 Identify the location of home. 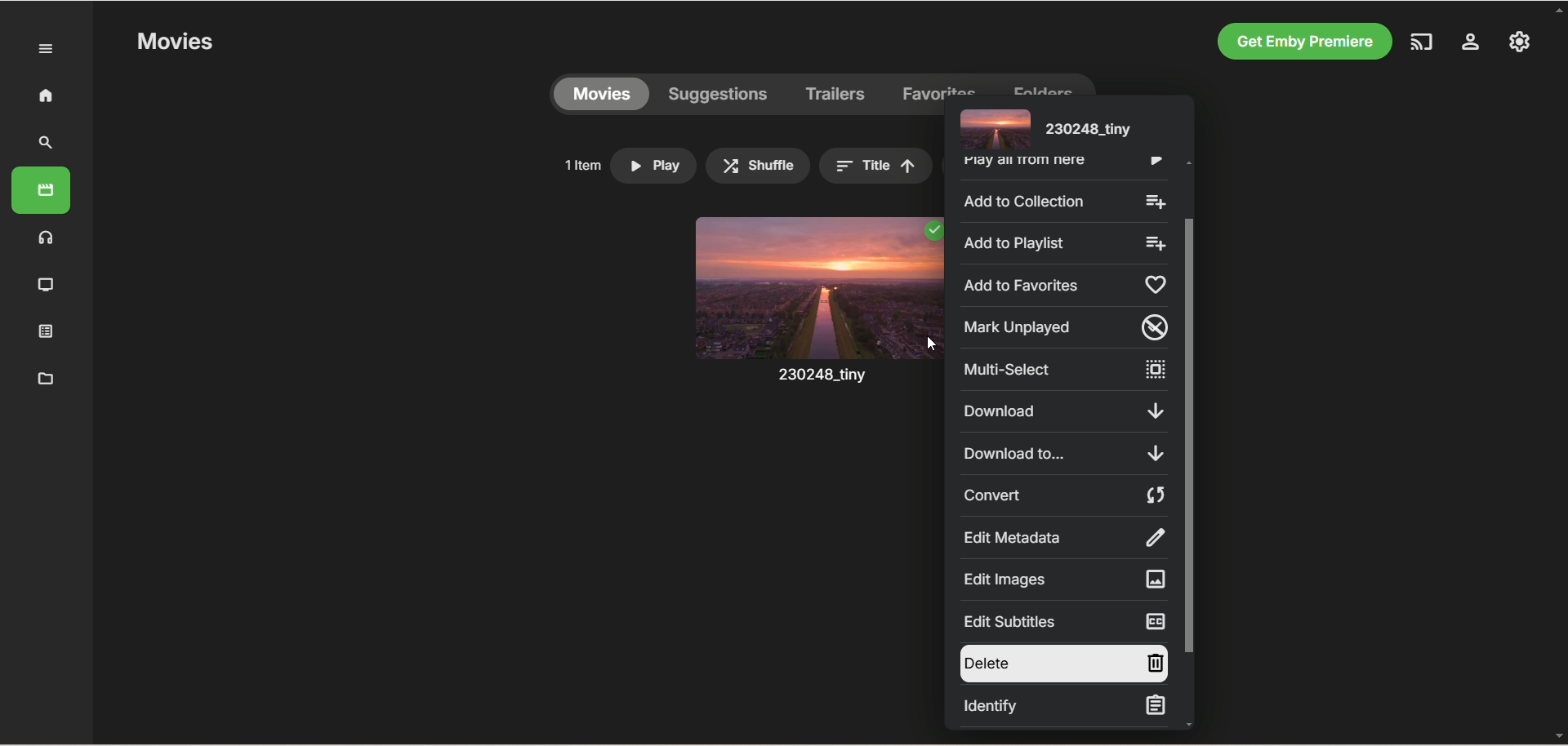
(45, 95).